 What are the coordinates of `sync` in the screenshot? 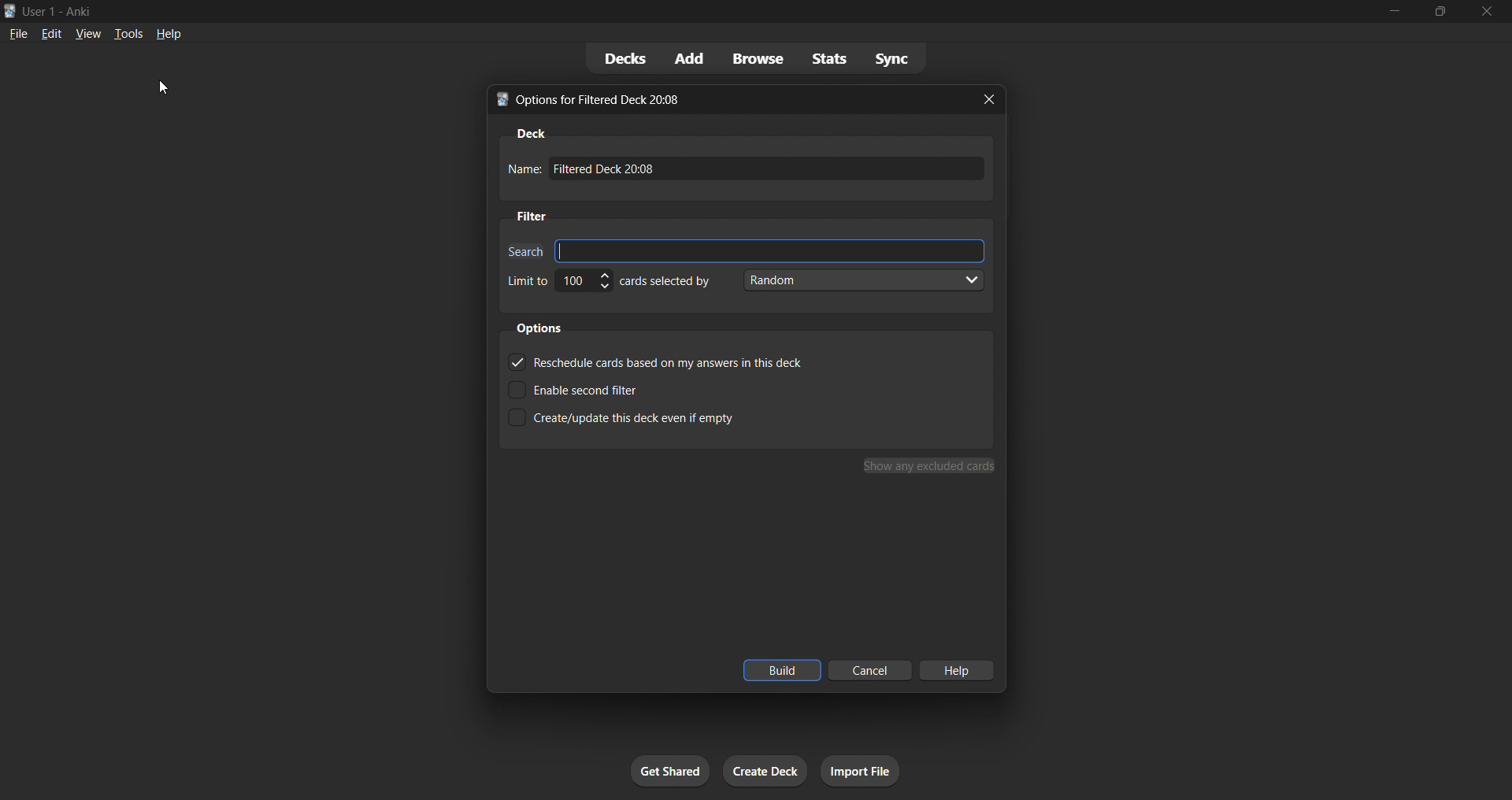 It's located at (895, 58).